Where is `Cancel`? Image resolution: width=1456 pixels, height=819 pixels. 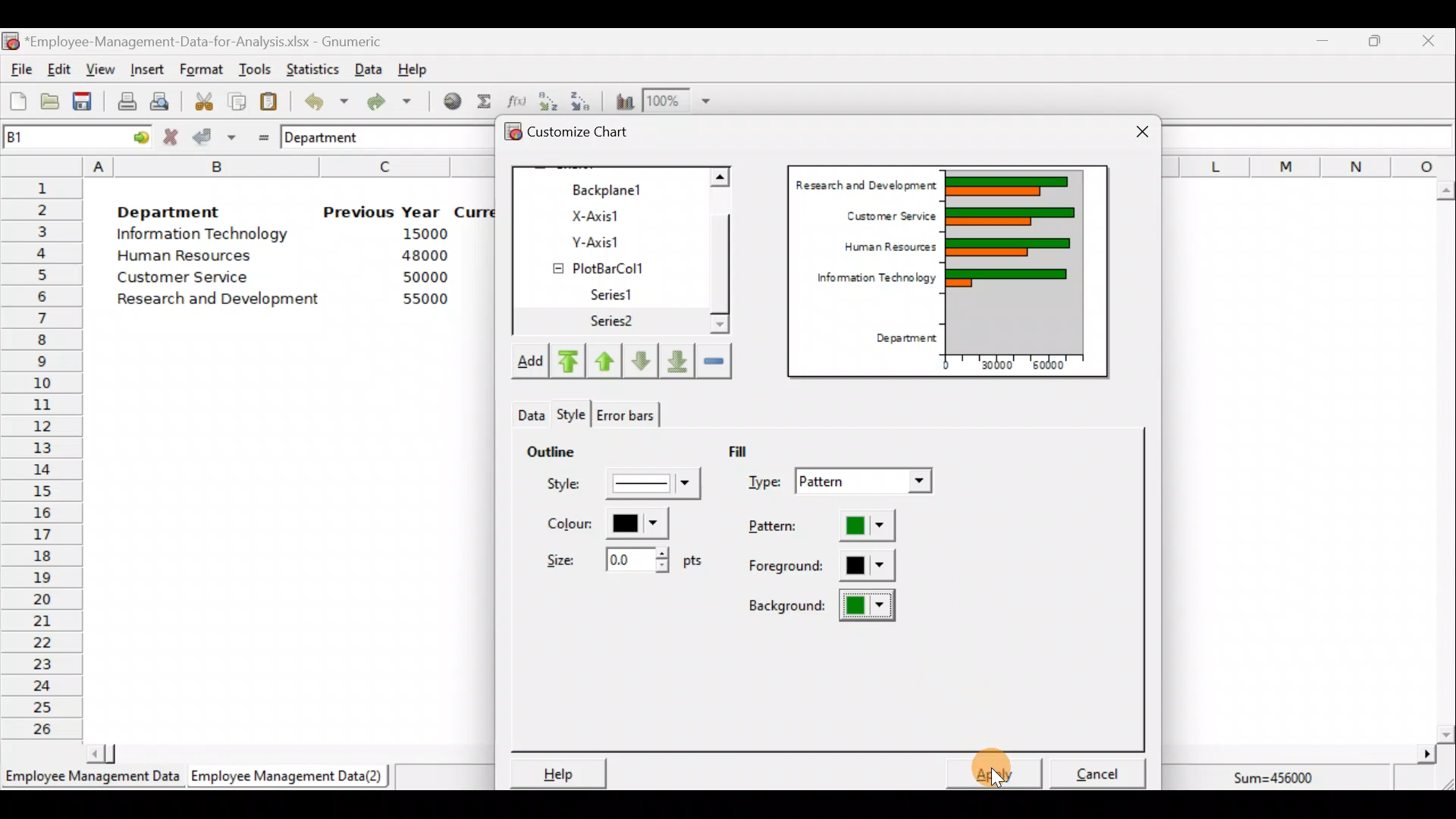 Cancel is located at coordinates (1103, 769).